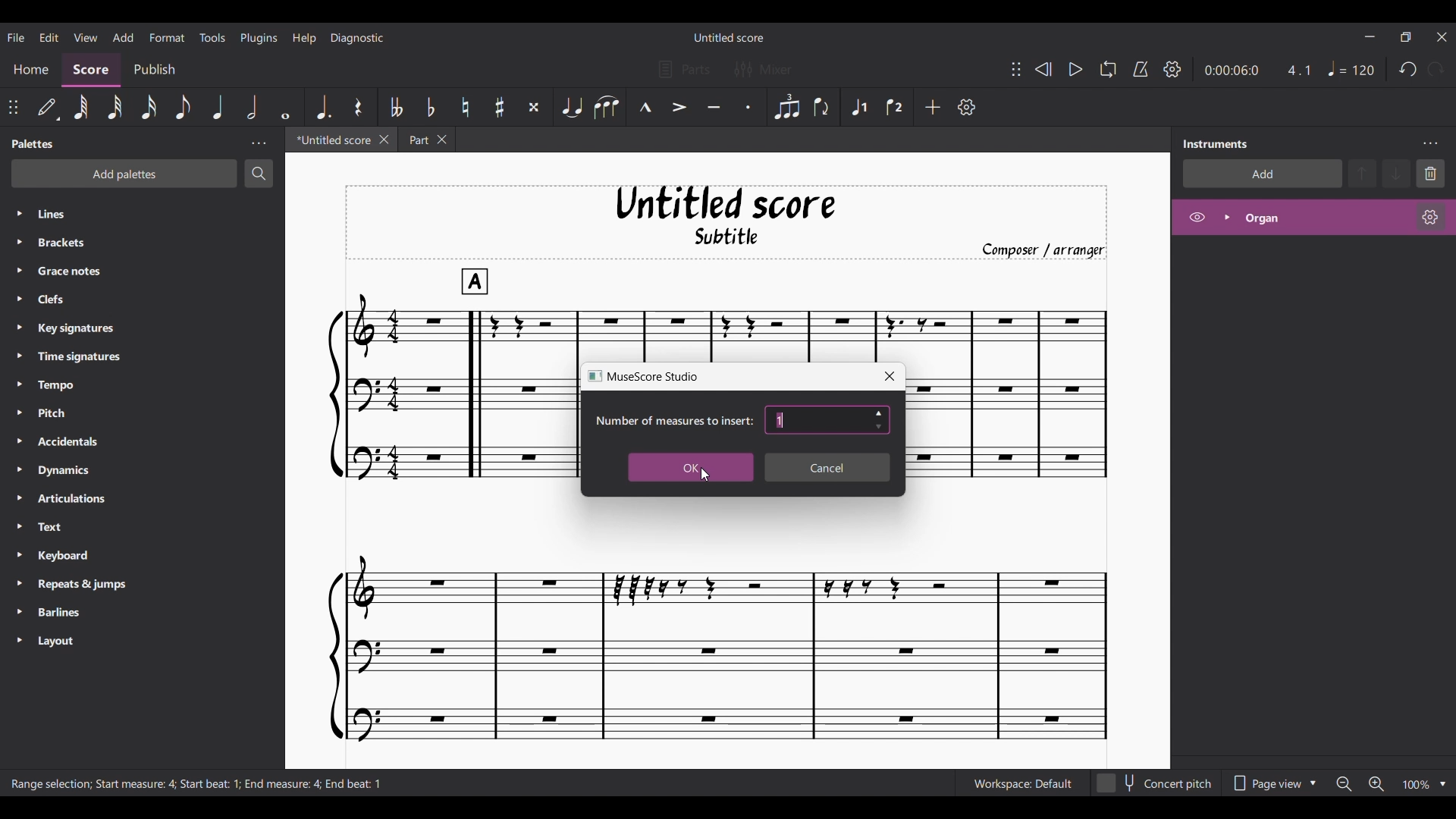 The image size is (1456, 819). What do you see at coordinates (115, 108) in the screenshot?
I see `32nd note` at bounding box center [115, 108].